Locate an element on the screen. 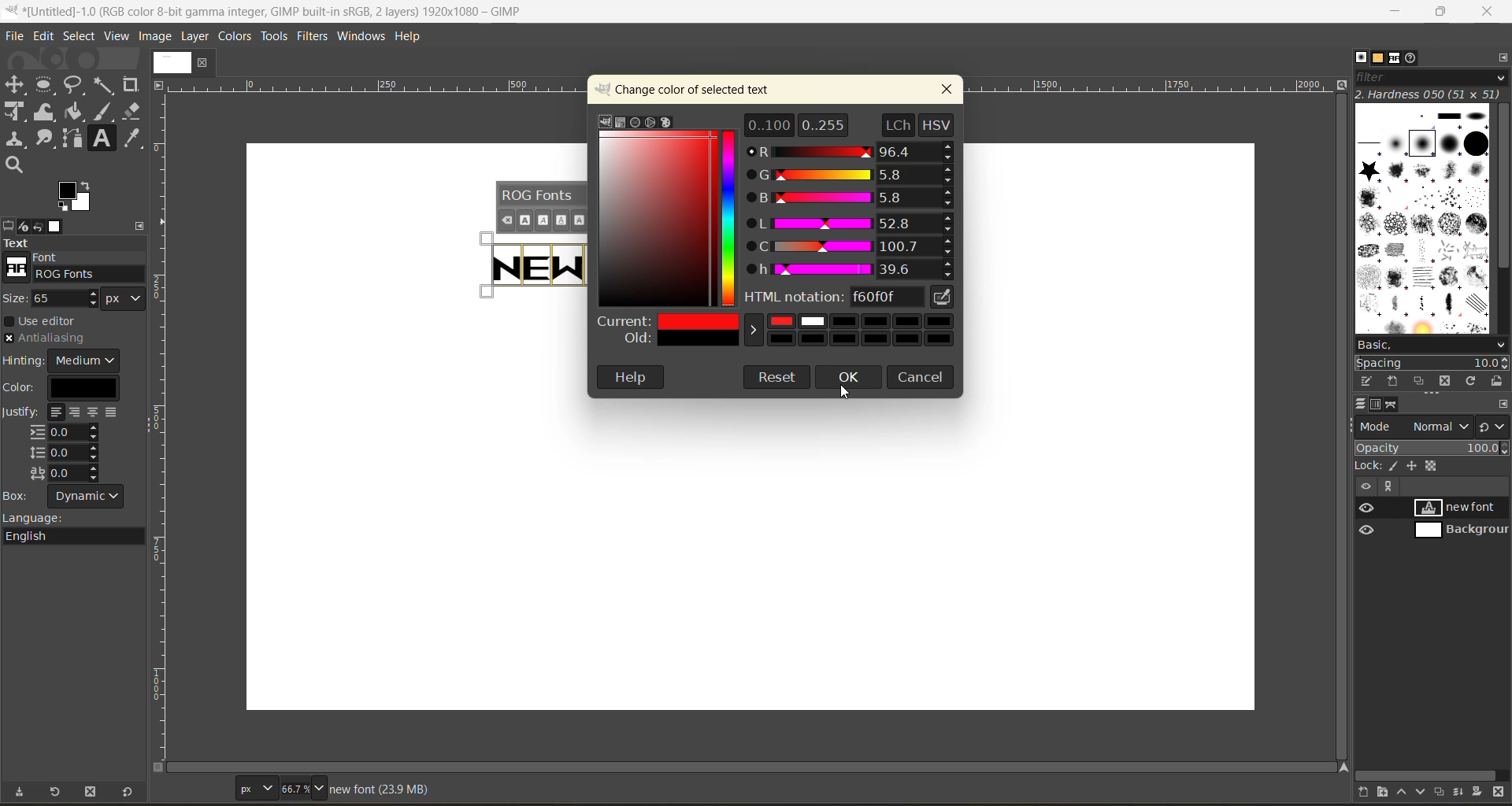 Image resolution: width=1512 pixels, height=806 pixels. mode is located at coordinates (1415, 426).